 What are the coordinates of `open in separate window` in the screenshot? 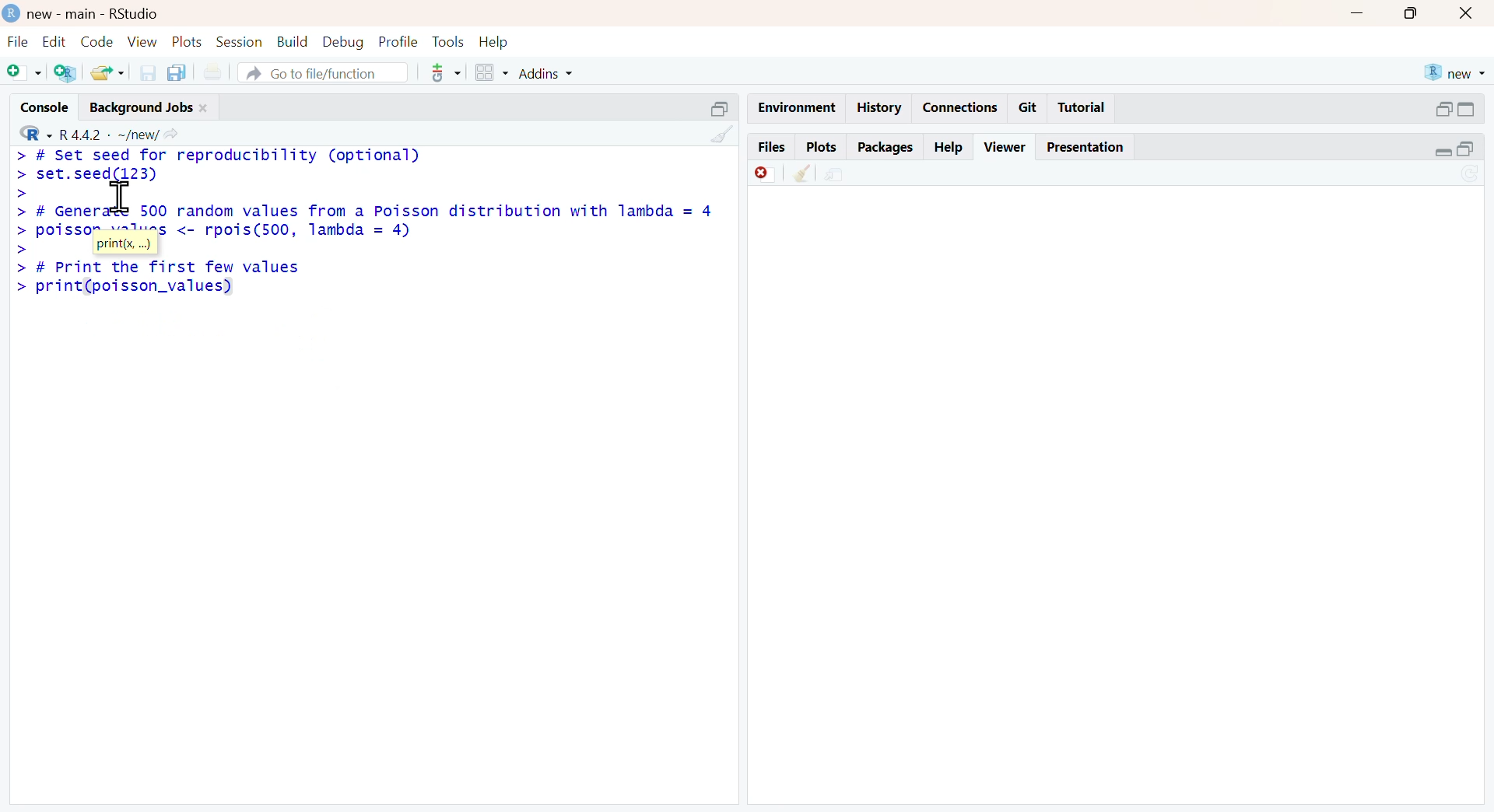 It's located at (721, 110).